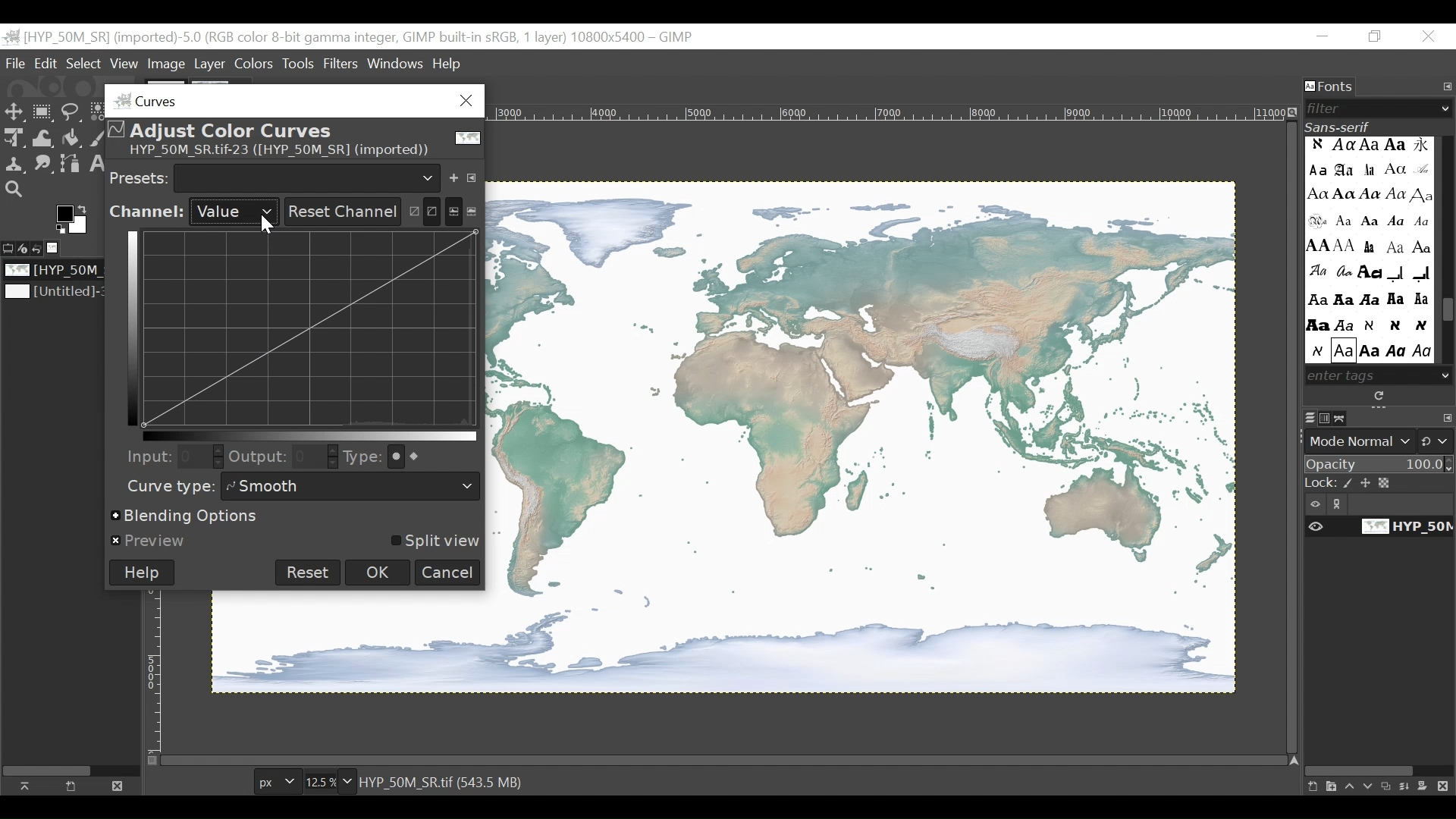 Image resolution: width=1456 pixels, height=819 pixels. Describe the element at coordinates (1375, 37) in the screenshot. I see `Rsstore` at that location.